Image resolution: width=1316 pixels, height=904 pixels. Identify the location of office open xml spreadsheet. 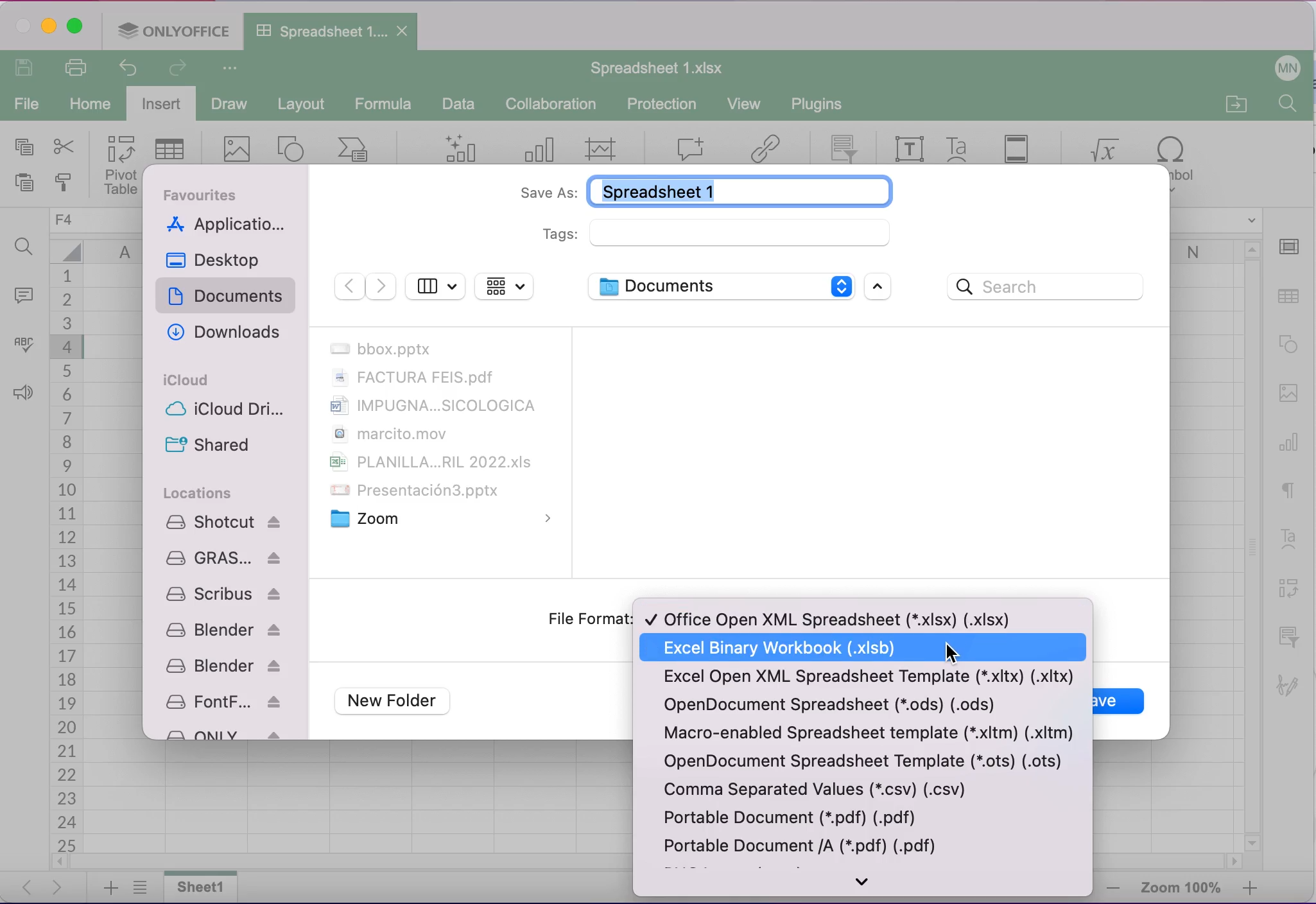
(835, 617).